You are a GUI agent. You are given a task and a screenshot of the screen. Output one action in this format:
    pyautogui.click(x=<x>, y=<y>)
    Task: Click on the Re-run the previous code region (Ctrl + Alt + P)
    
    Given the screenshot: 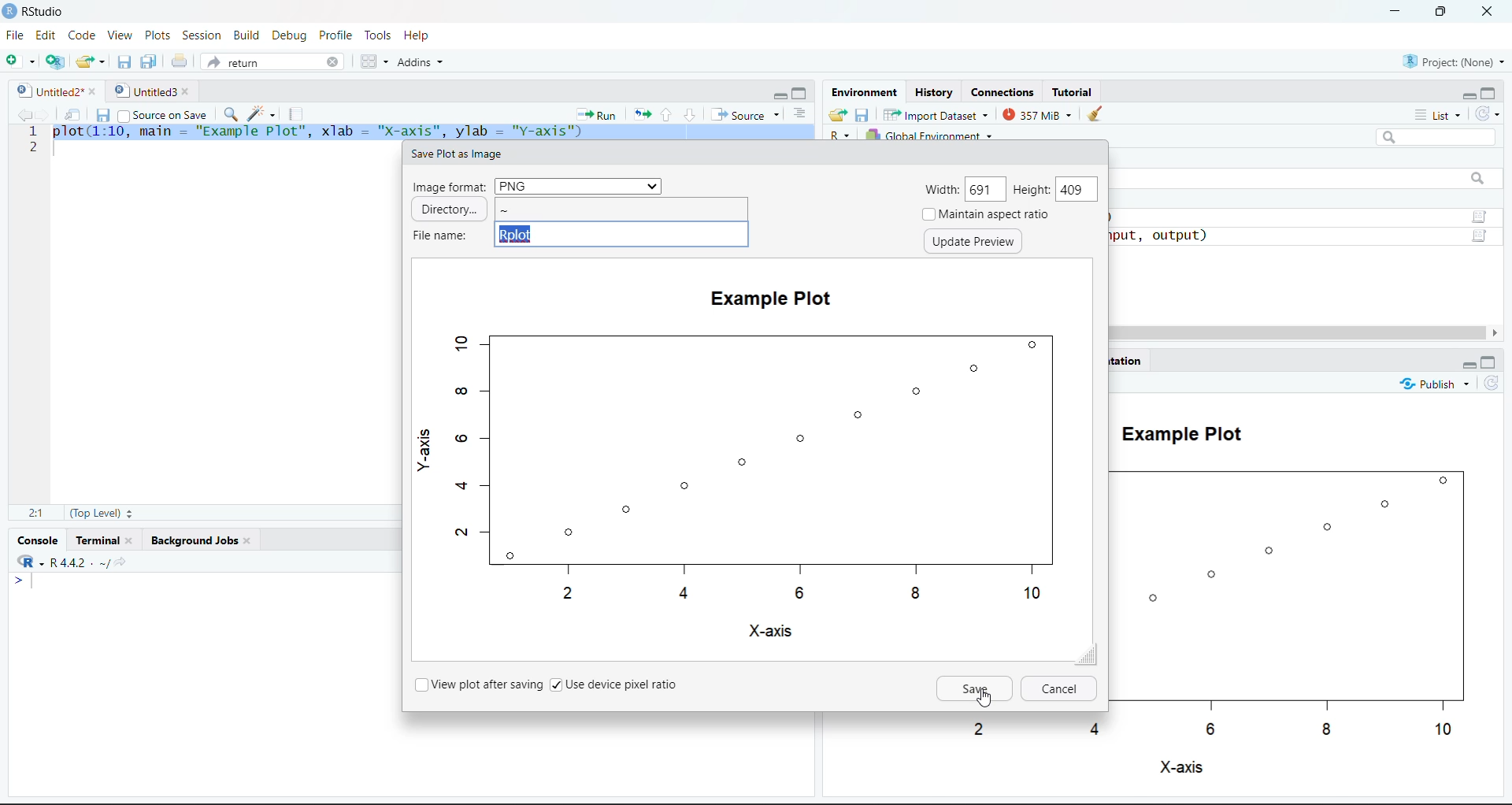 What is the action you would take?
    pyautogui.click(x=640, y=113)
    